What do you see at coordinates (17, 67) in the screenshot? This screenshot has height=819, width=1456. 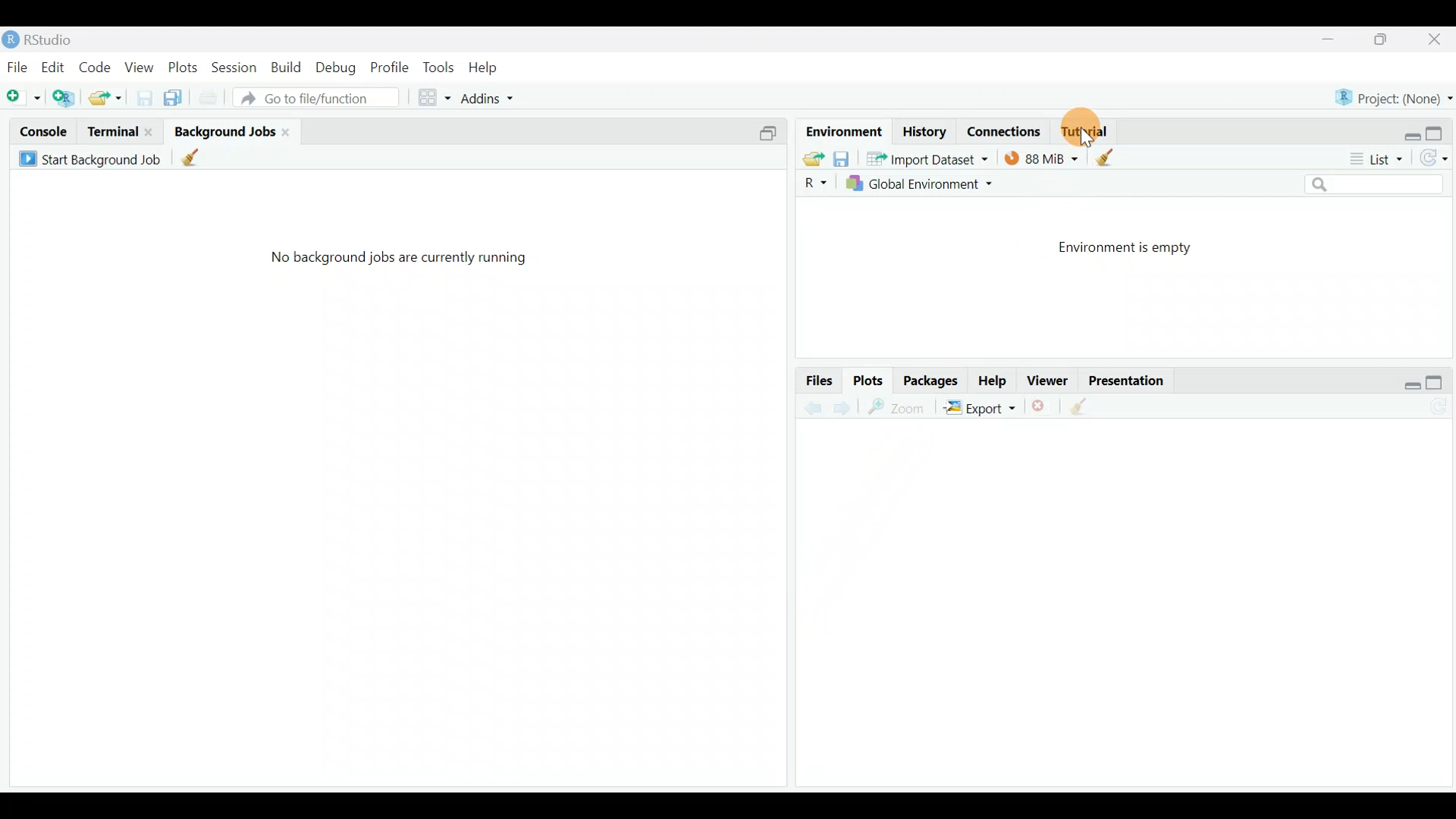 I see `File` at bounding box center [17, 67].